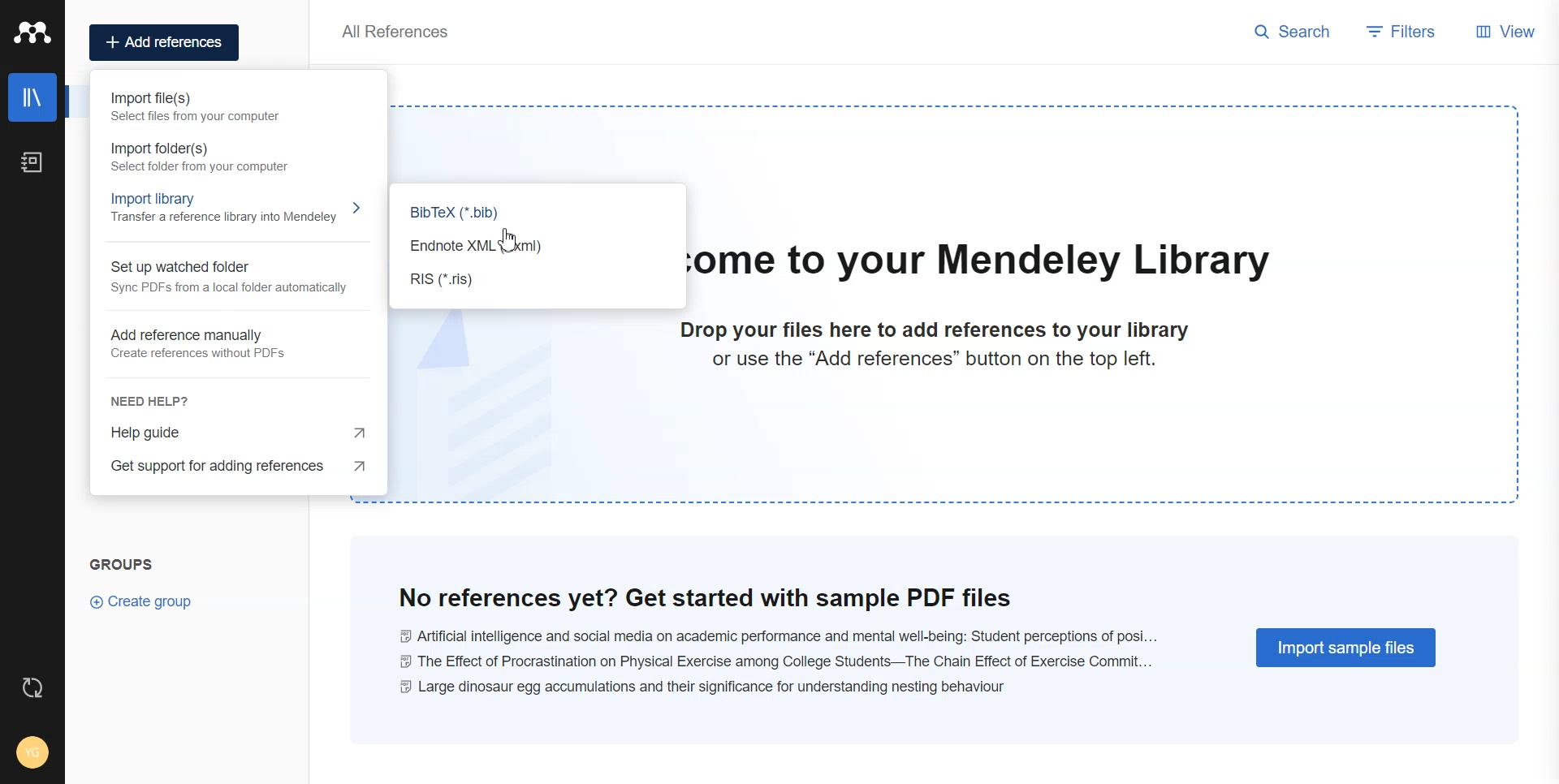 This screenshot has height=784, width=1559. I want to click on Search, so click(1295, 32).